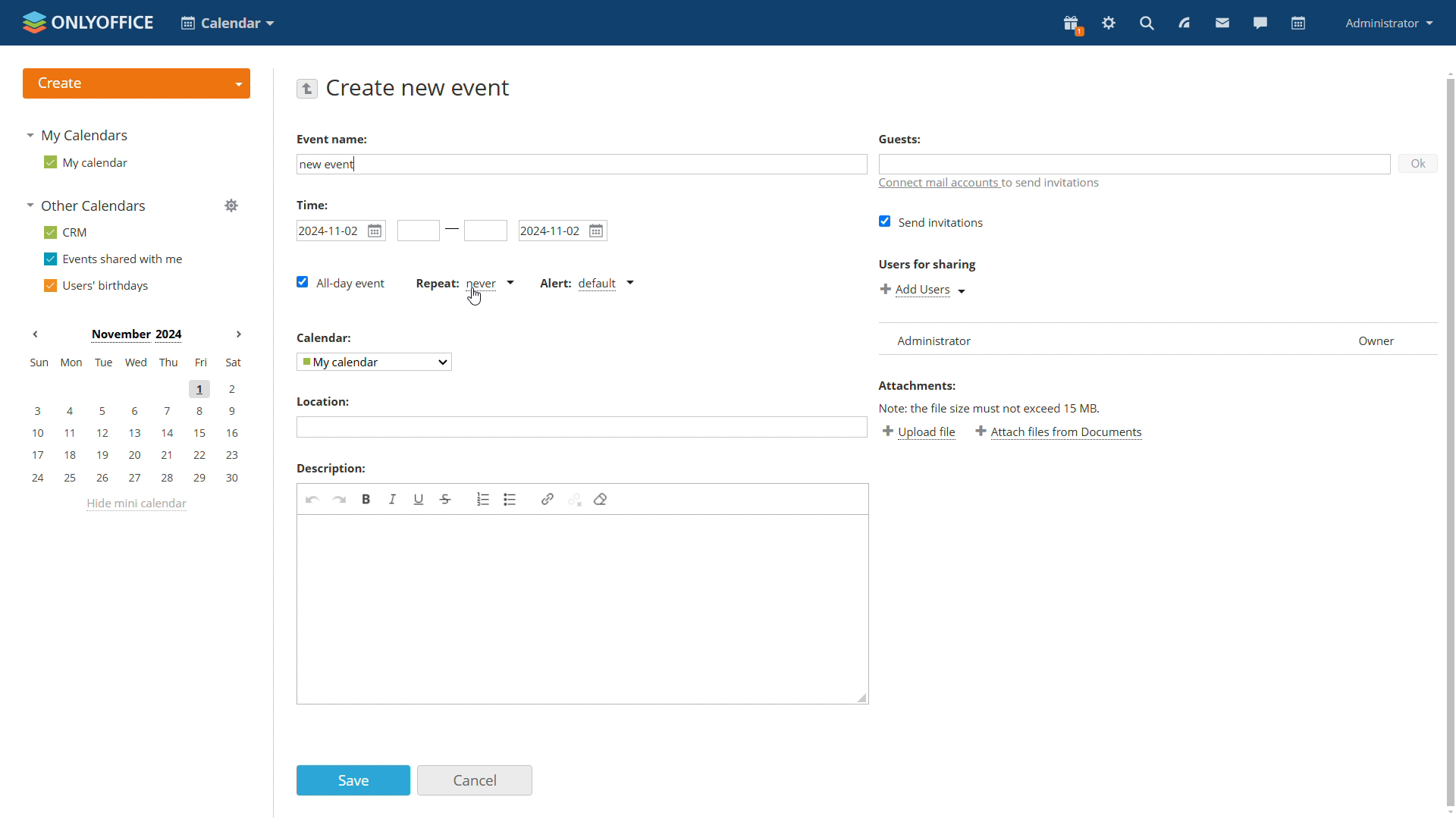 The image size is (1456, 819). I want to click on scrollbar, so click(1451, 443).